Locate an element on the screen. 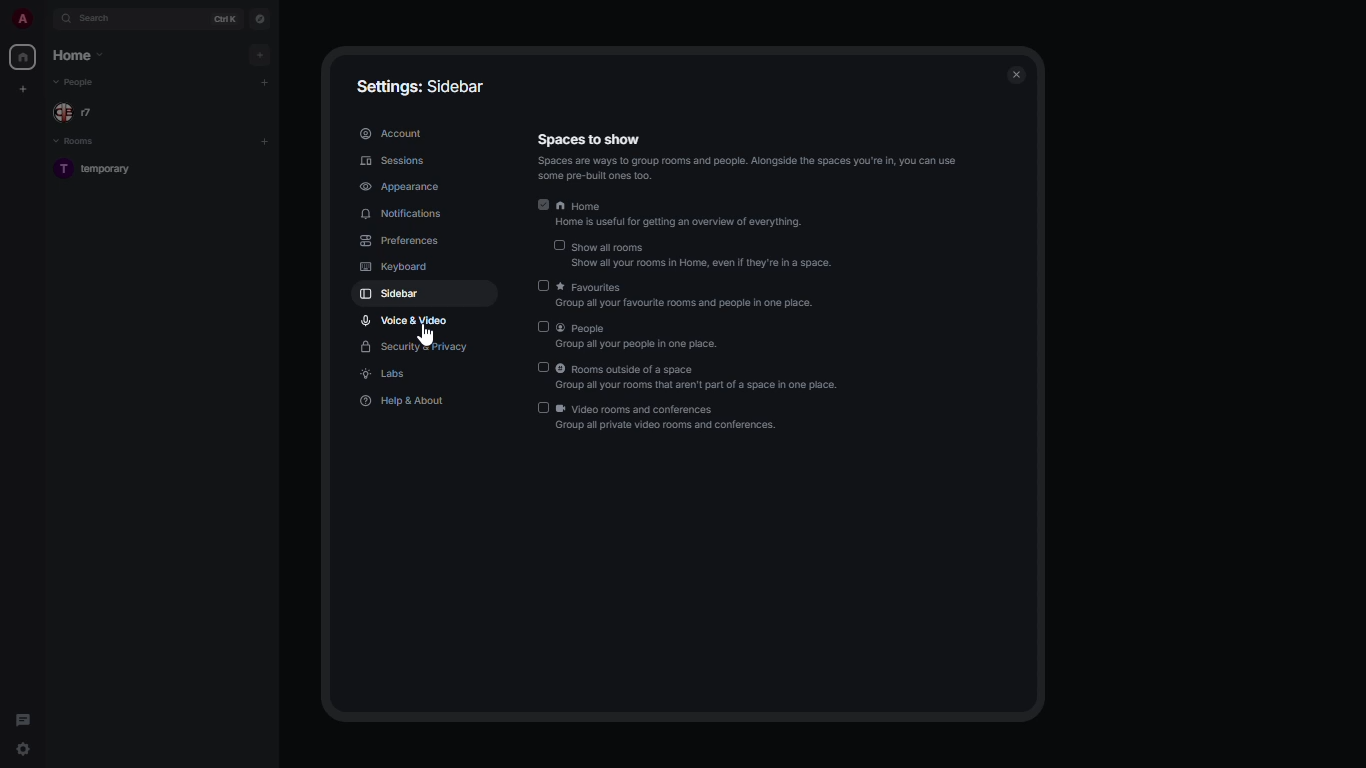  help & about is located at coordinates (399, 401).